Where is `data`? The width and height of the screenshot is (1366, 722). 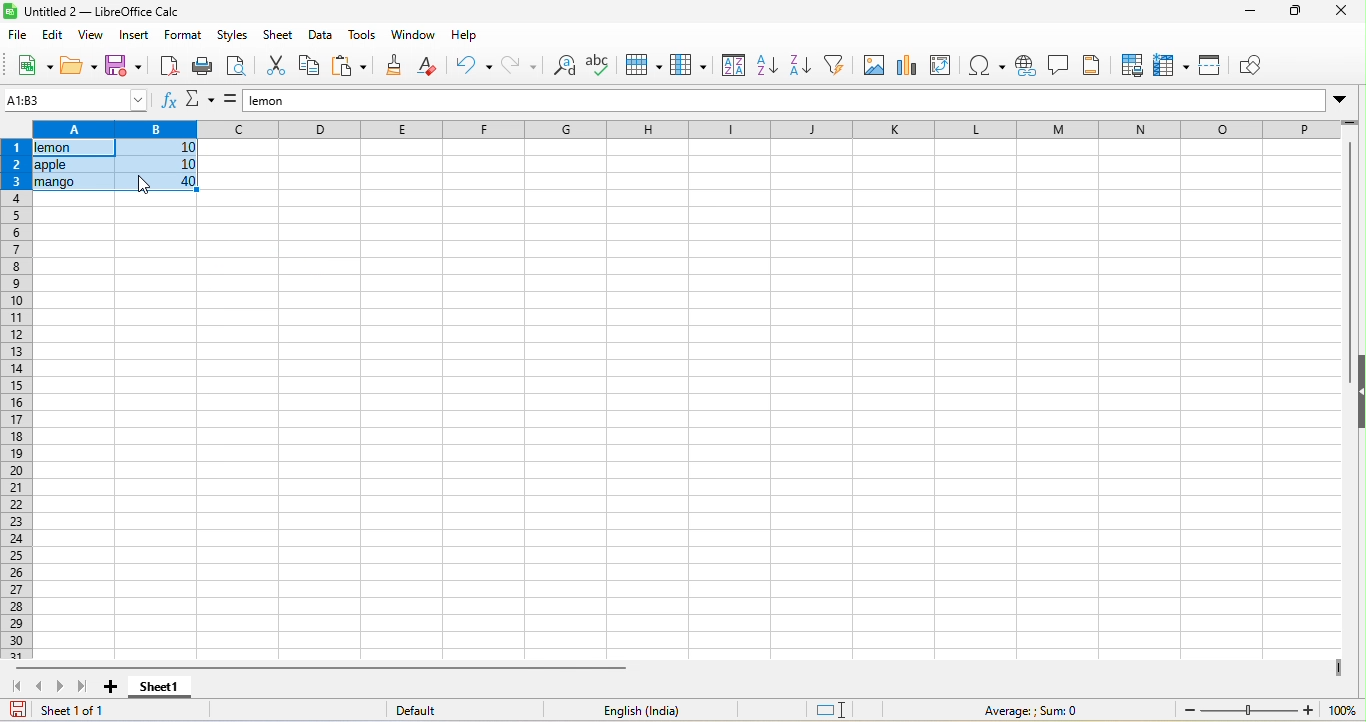
data is located at coordinates (322, 36).